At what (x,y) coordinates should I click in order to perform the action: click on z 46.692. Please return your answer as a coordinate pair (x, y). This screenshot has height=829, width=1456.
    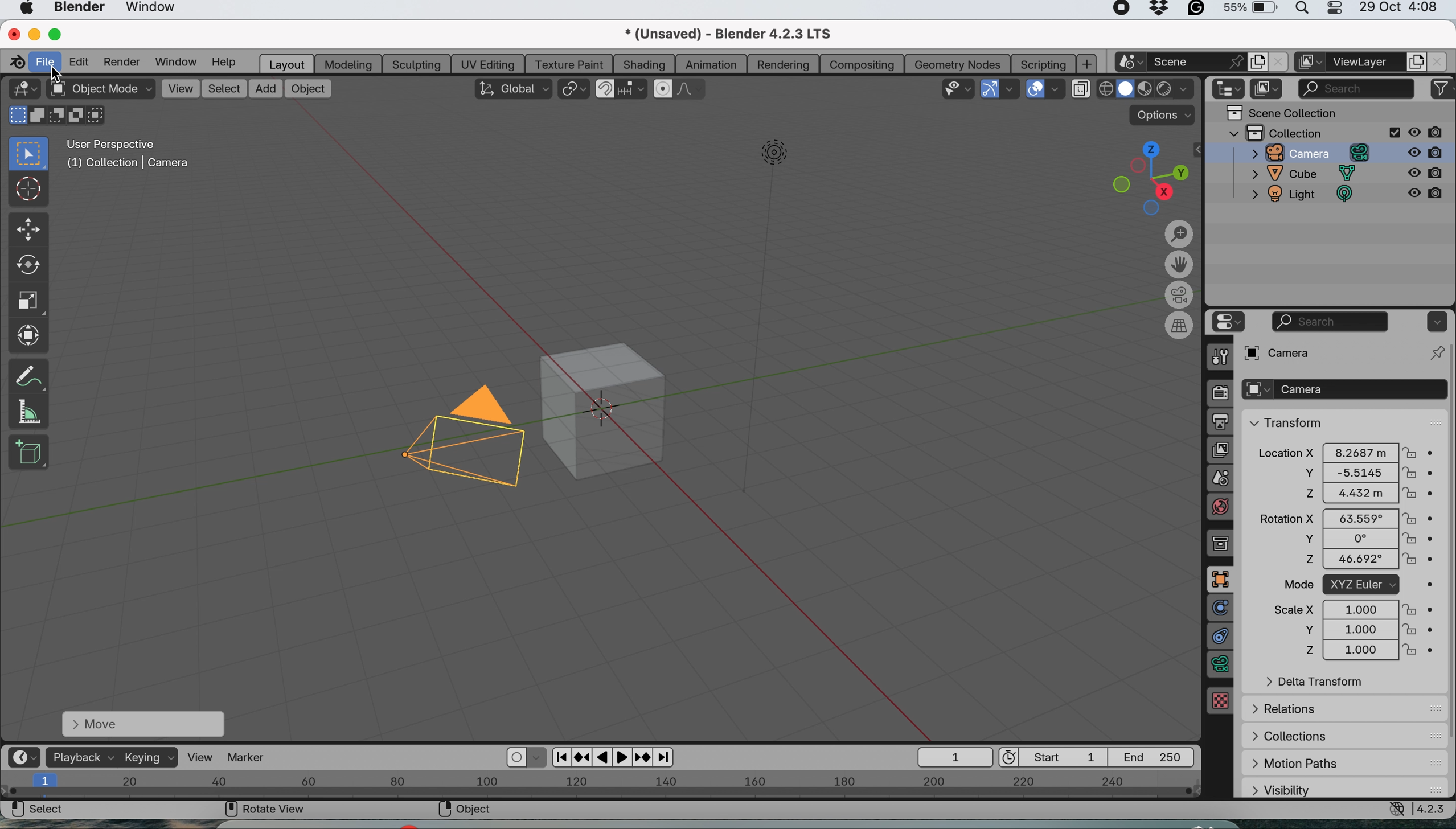
    Looking at the image, I should click on (1345, 561).